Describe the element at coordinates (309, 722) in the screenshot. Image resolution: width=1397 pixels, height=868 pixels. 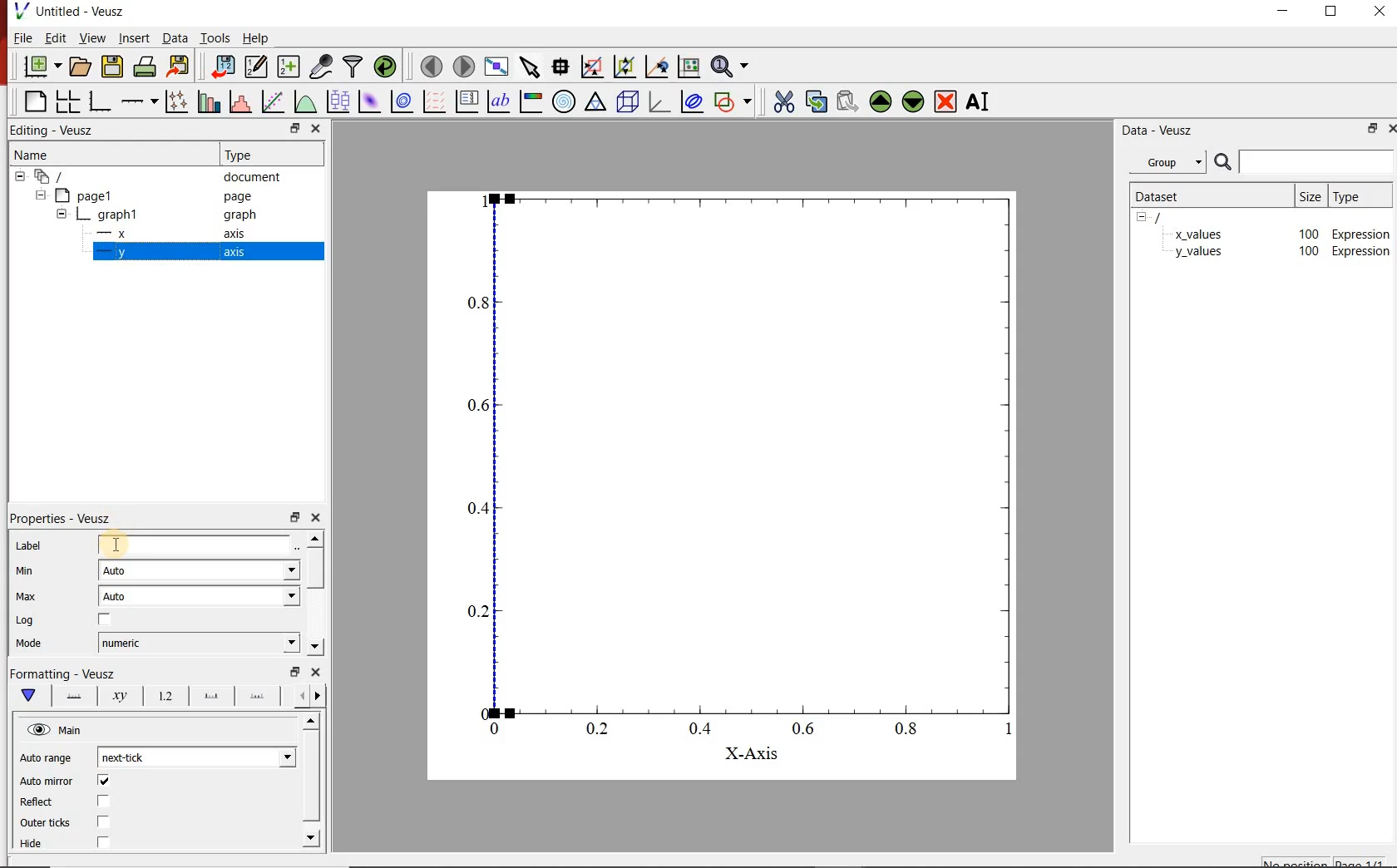
I see `move up` at that location.